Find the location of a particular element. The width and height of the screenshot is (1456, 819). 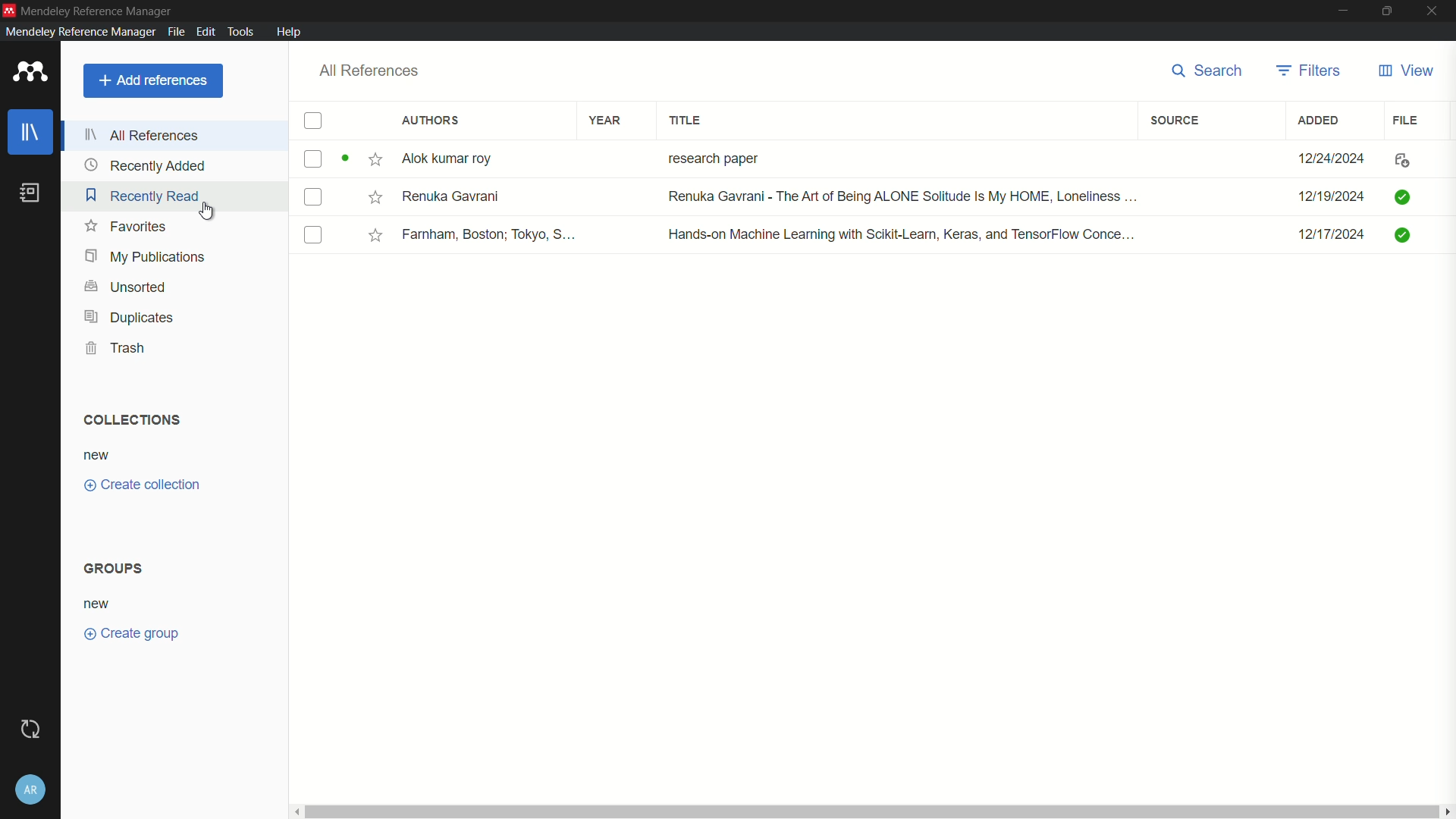

new is located at coordinates (96, 604).